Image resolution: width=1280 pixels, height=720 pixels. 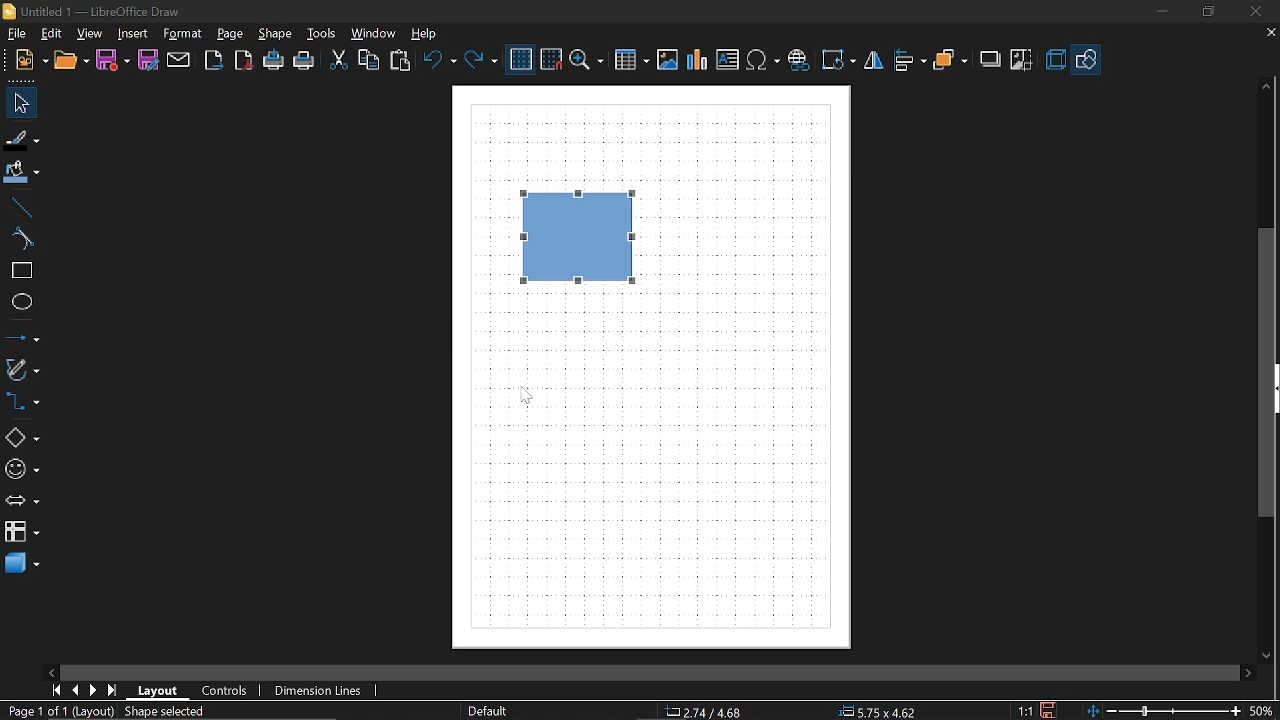 I want to click on Insert chart, so click(x=698, y=60).